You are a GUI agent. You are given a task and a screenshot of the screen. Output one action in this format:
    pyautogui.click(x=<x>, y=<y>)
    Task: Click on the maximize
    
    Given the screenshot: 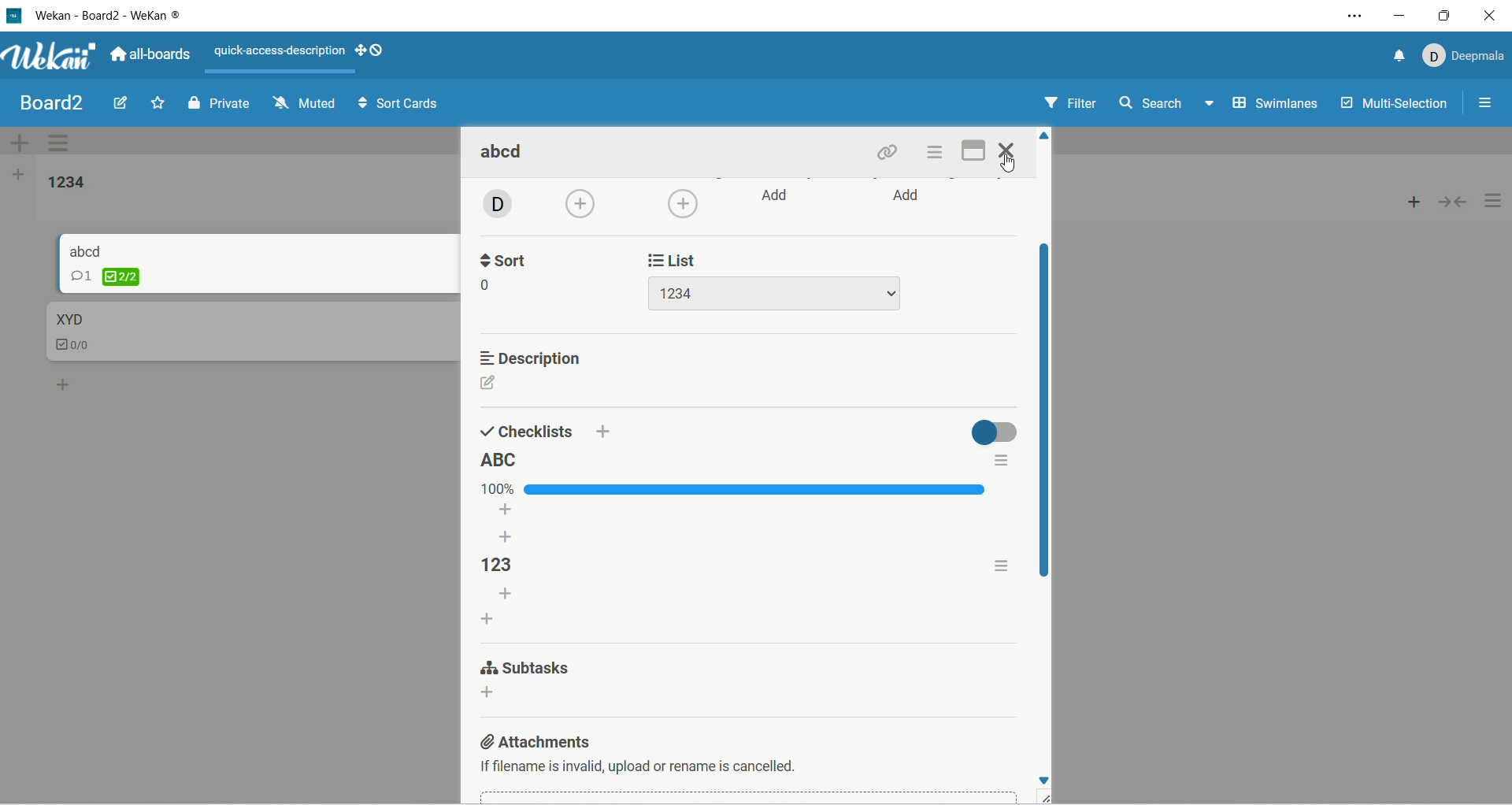 What is the action you would take?
    pyautogui.click(x=1442, y=16)
    